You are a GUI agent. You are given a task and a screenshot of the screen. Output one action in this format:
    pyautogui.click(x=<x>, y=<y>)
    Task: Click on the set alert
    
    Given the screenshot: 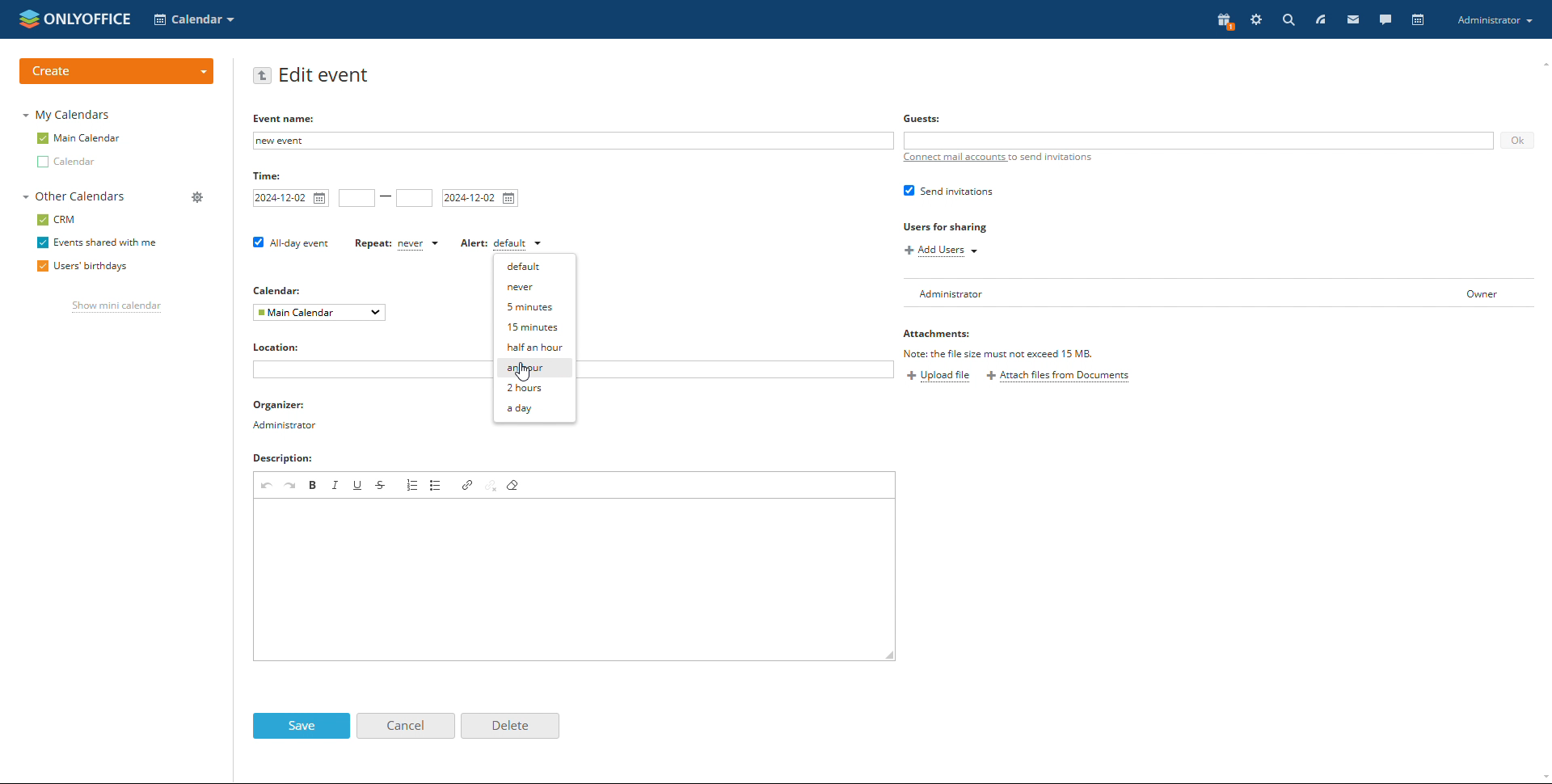 What is the action you would take?
    pyautogui.click(x=501, y=244)
    